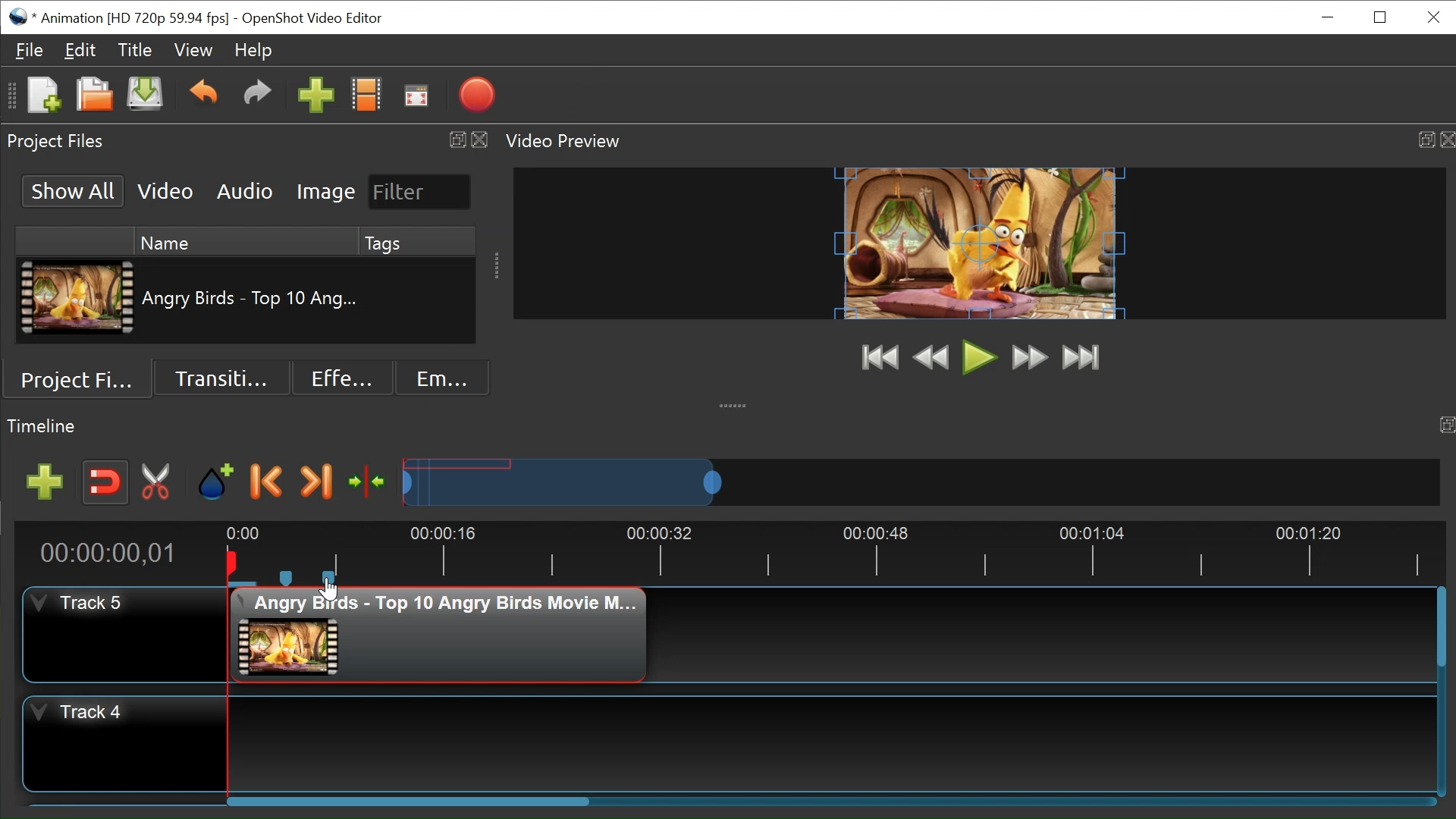  Describe the element at coordinates (193, 51) in the screenshot. I see `View` at that location.